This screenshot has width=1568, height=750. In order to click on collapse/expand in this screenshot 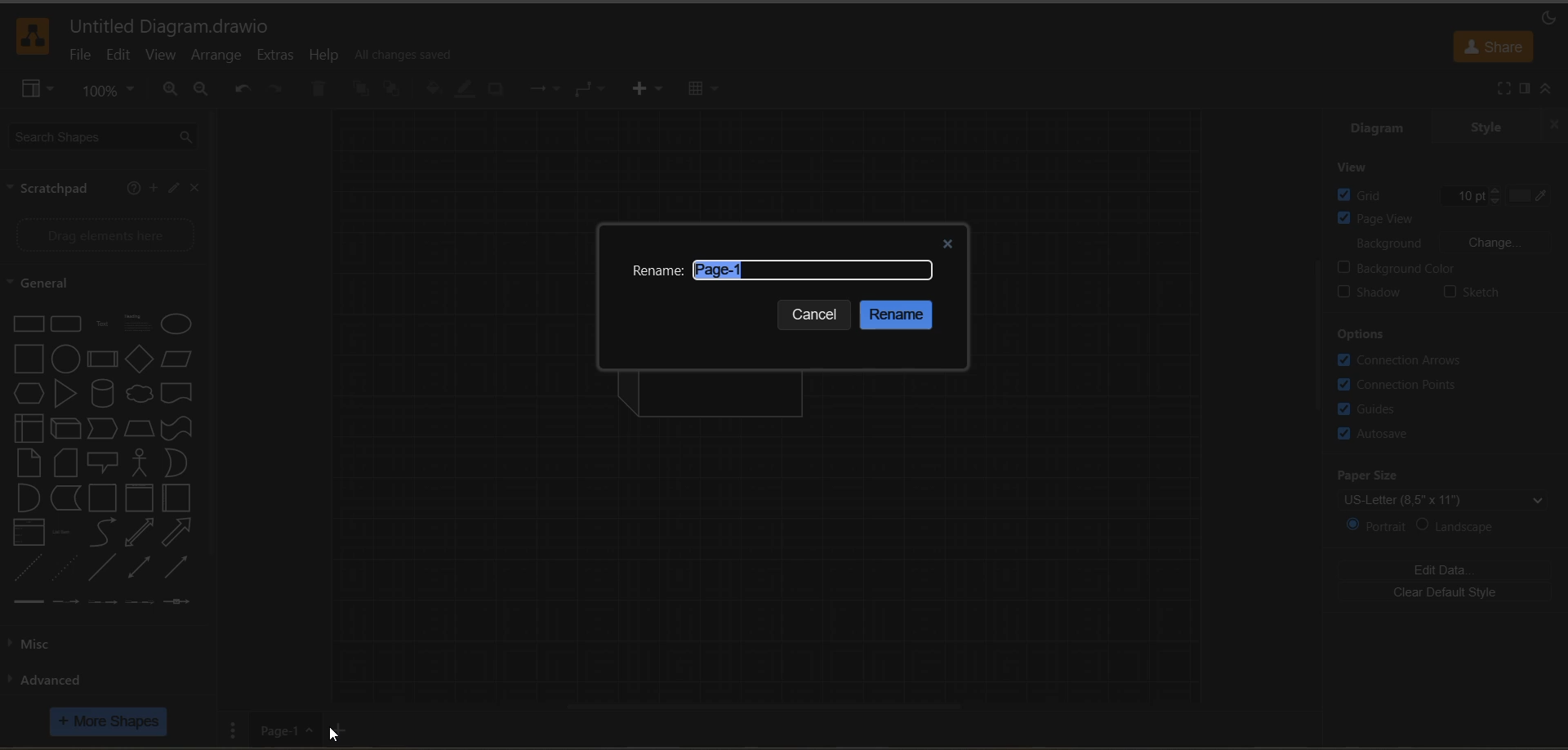, I will do `click(1548, 88)`.